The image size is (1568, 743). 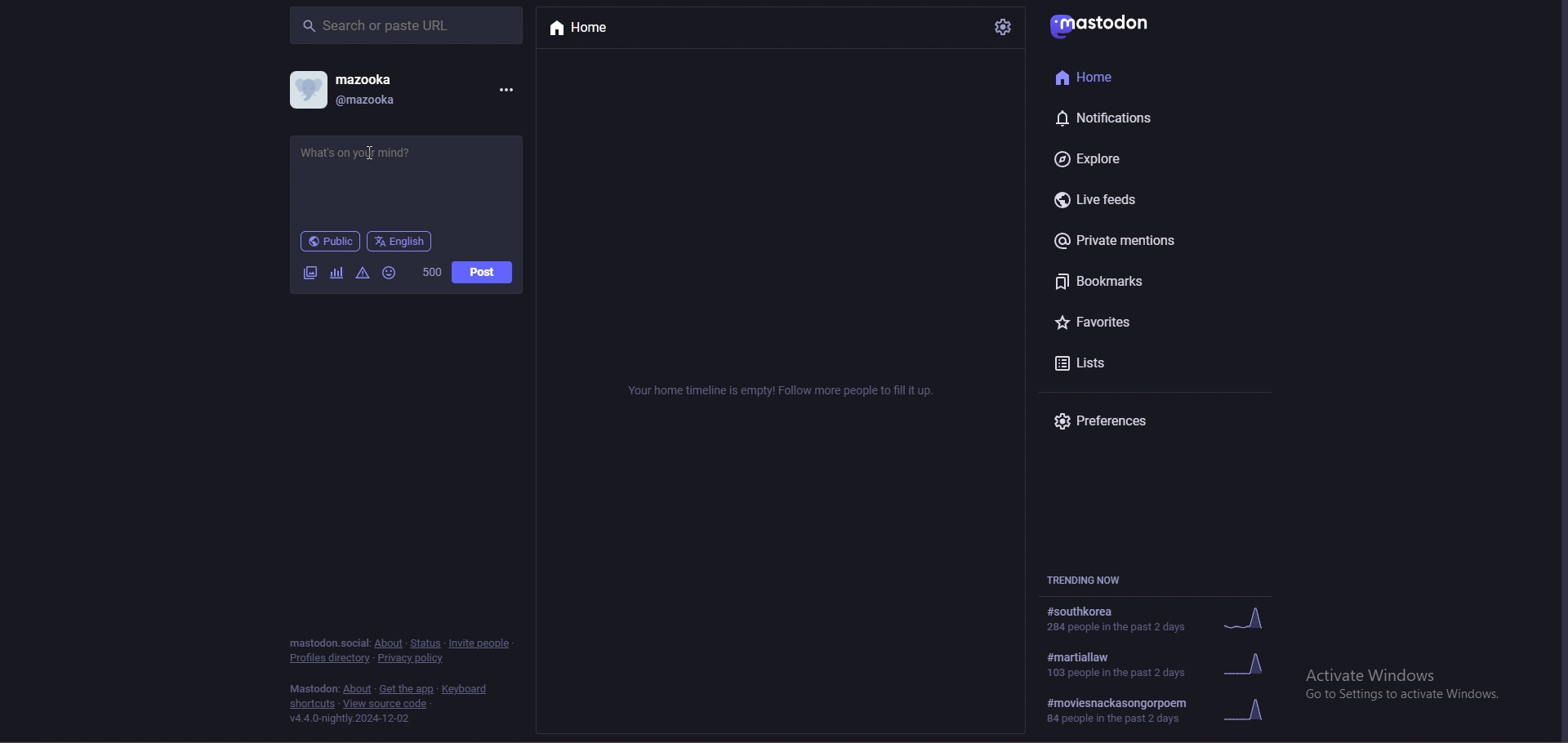 What do you see at coordinates (312, 704) in the screenshot?
I see `shortcuts` at bounding box center [312, 704].